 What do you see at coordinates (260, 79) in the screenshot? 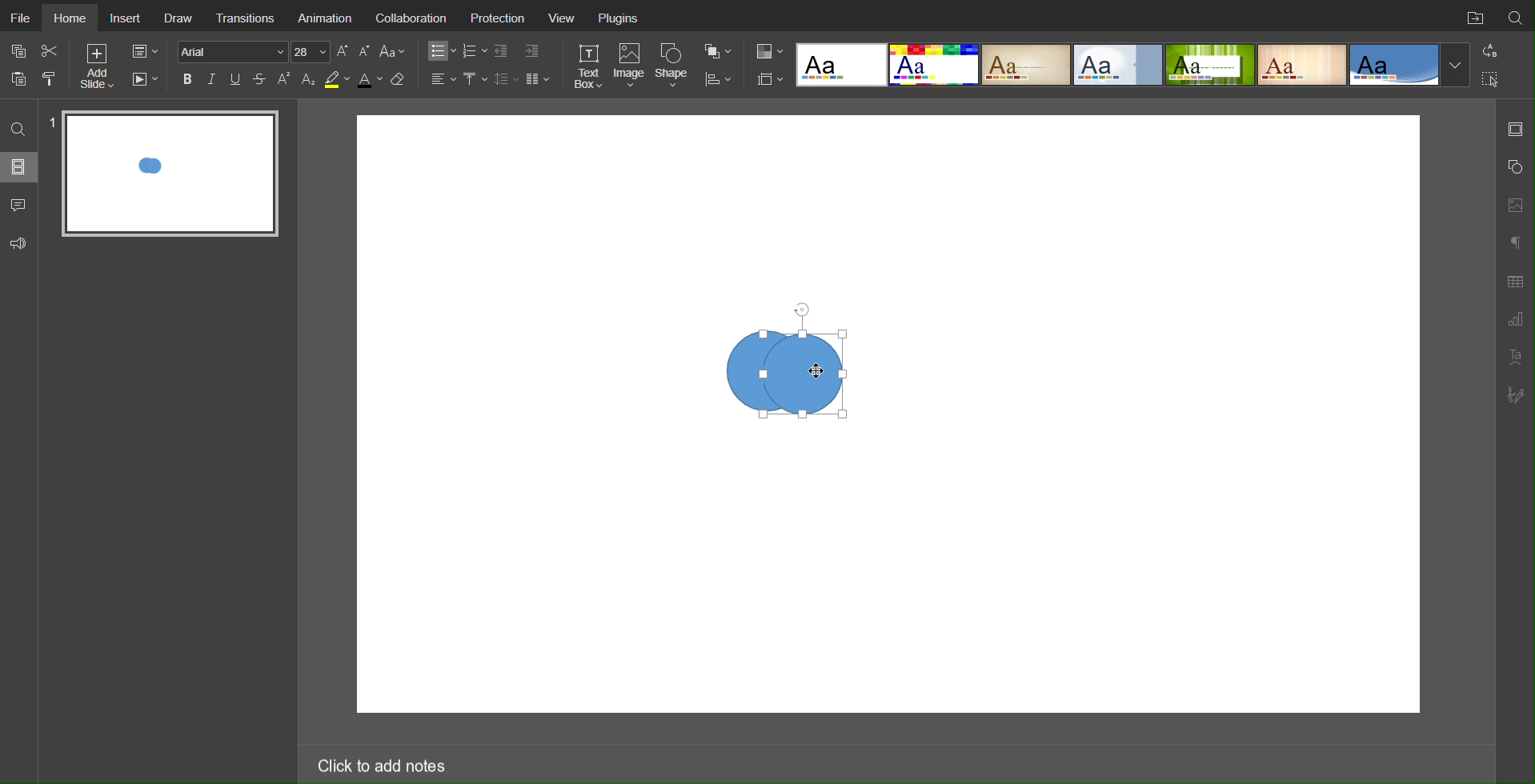
I see `Strikethrough` at bounding box center [260, 79].